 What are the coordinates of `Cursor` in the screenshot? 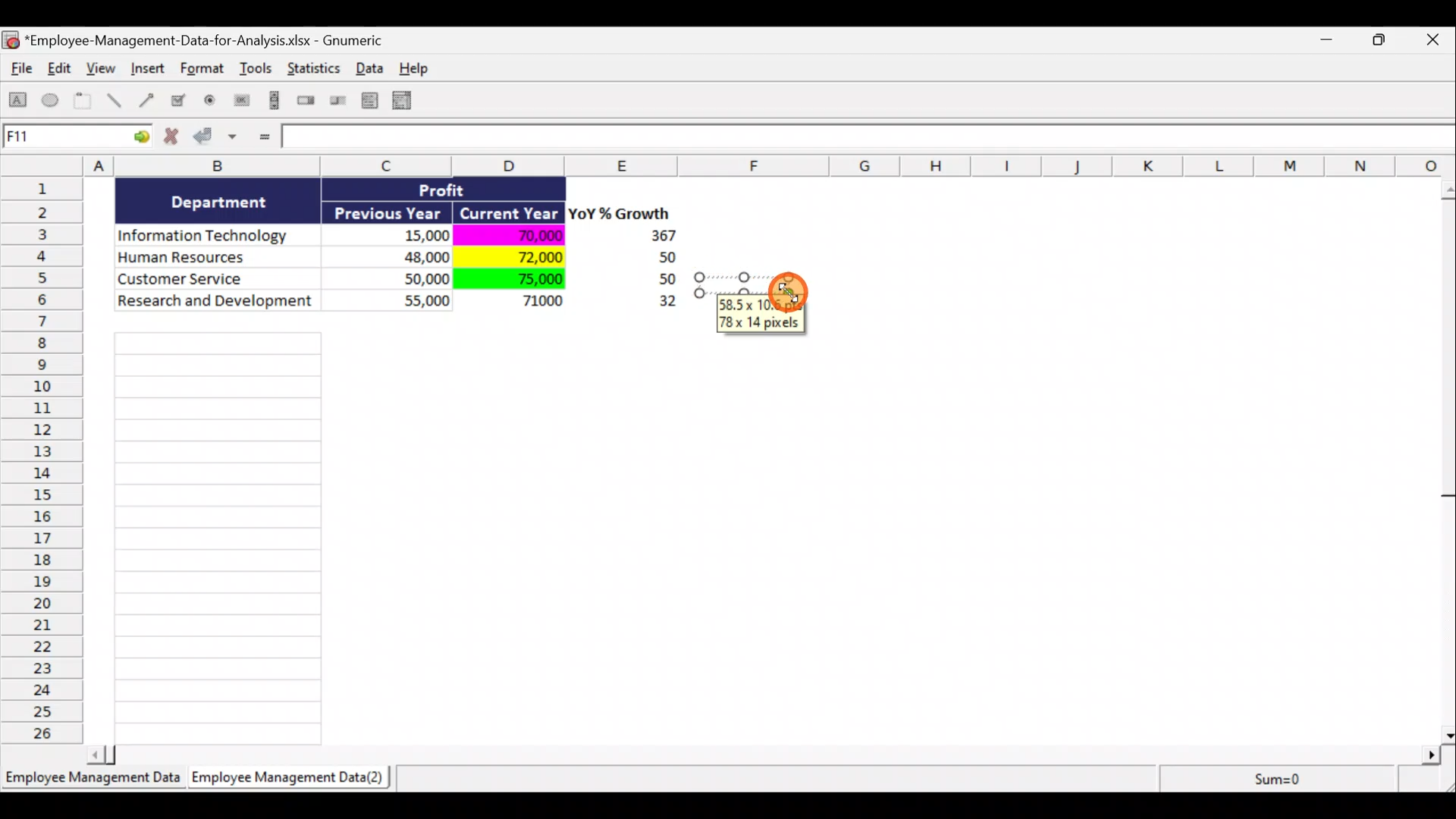 It's located at (788, 290).